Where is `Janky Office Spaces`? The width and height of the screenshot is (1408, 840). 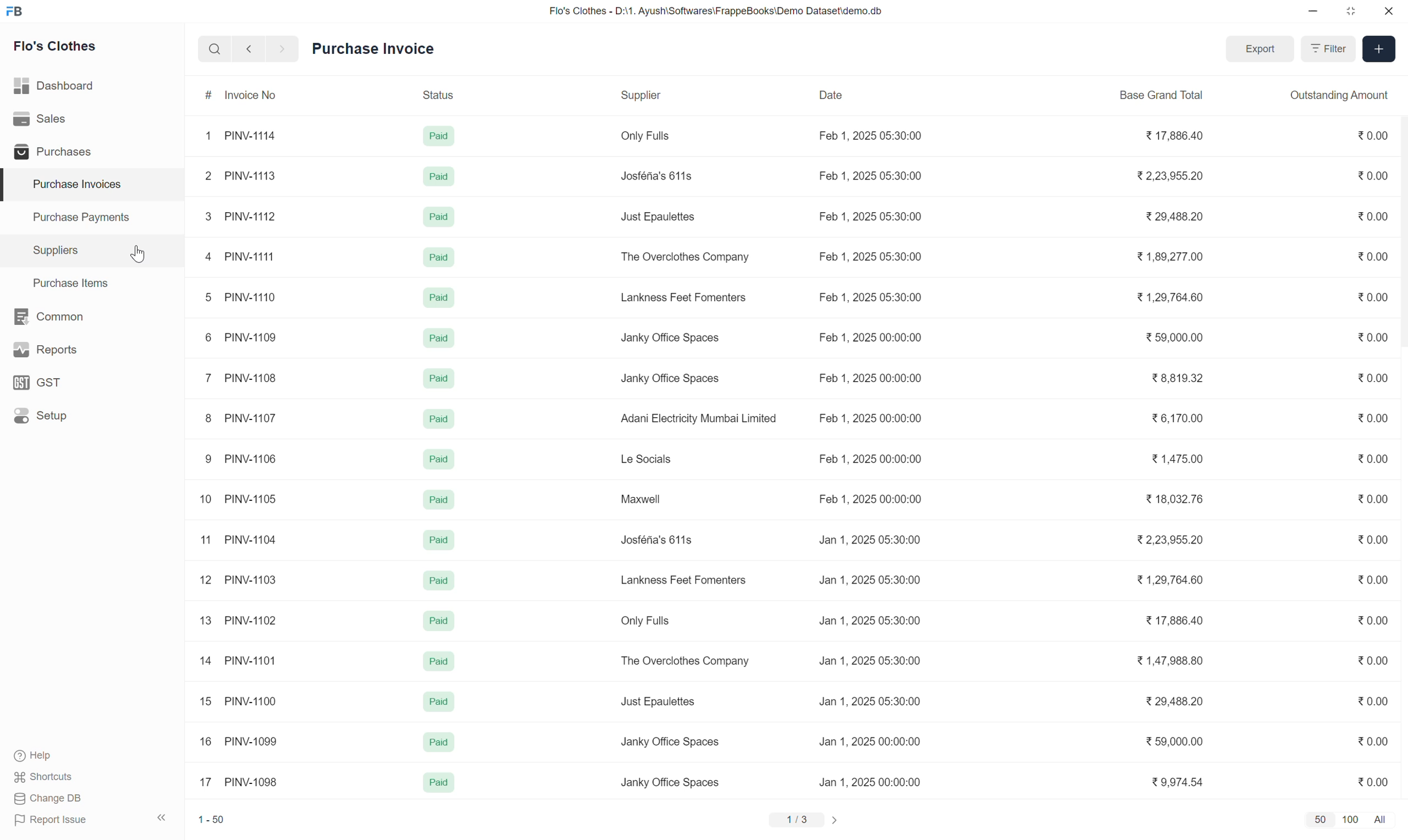
Janky Office Spaces is located at coordinates (666, 742).